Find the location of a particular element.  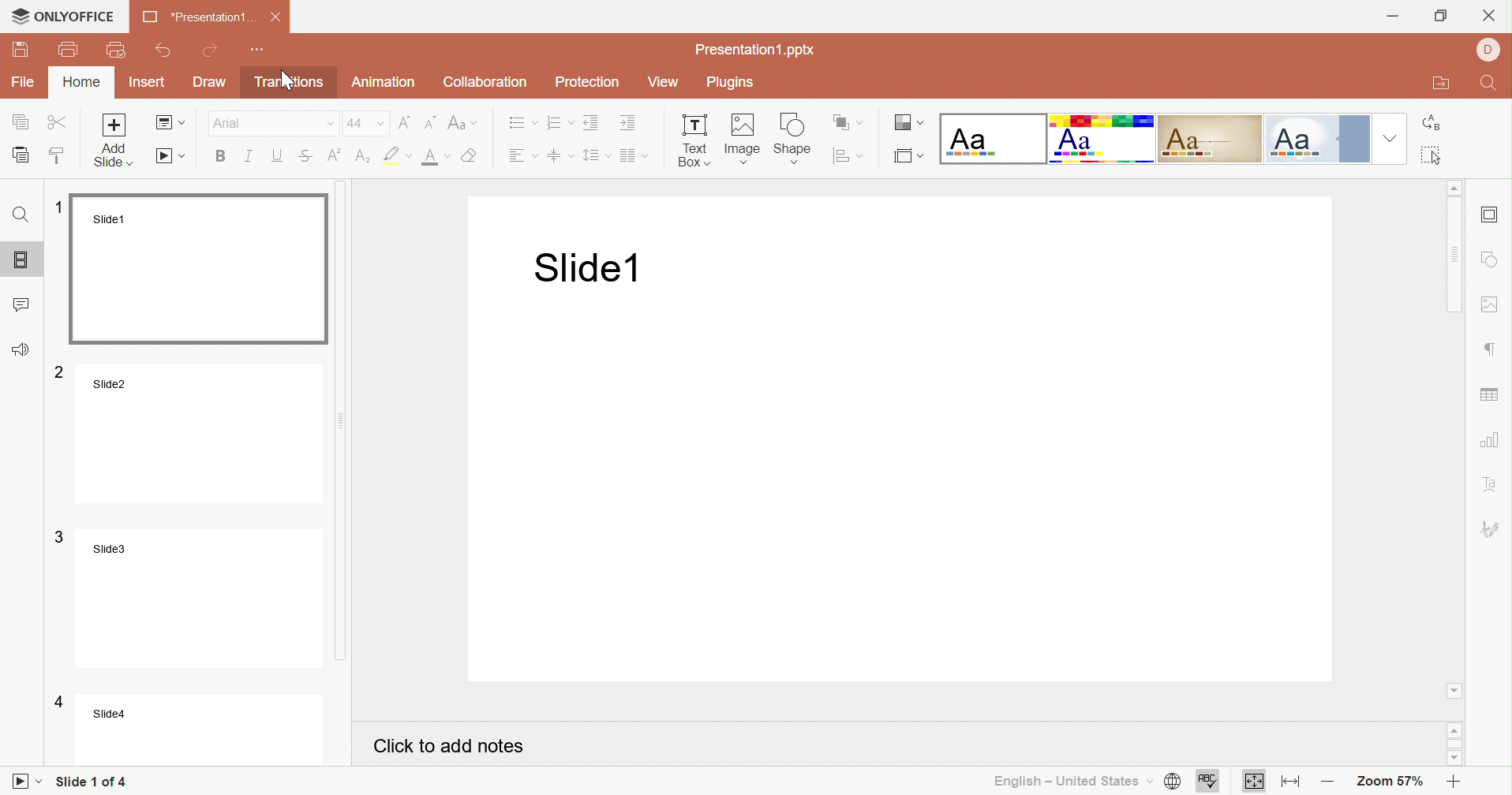

Plugins is located at coordinates (728, 81).